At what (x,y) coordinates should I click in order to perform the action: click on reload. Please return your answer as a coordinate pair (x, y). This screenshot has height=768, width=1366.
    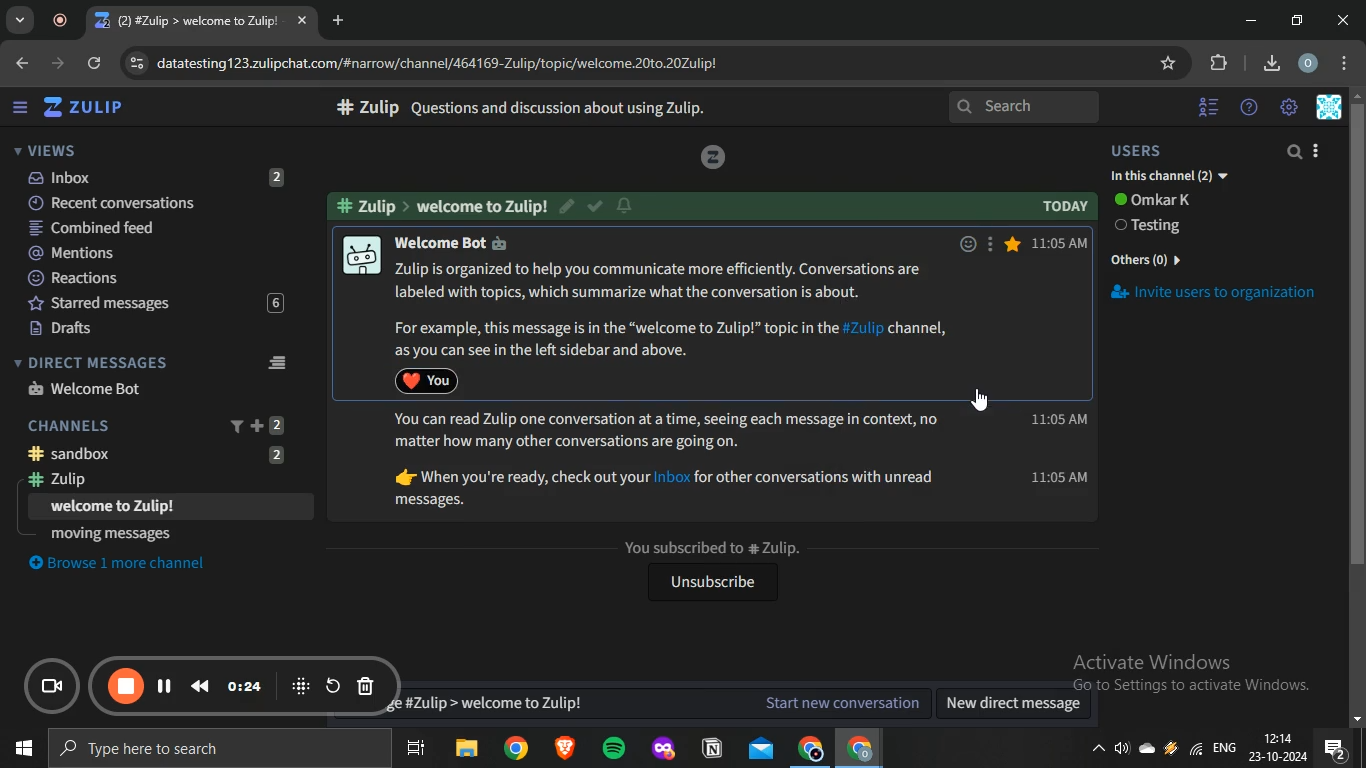
    Looking at the image, I should click on (333, 685).